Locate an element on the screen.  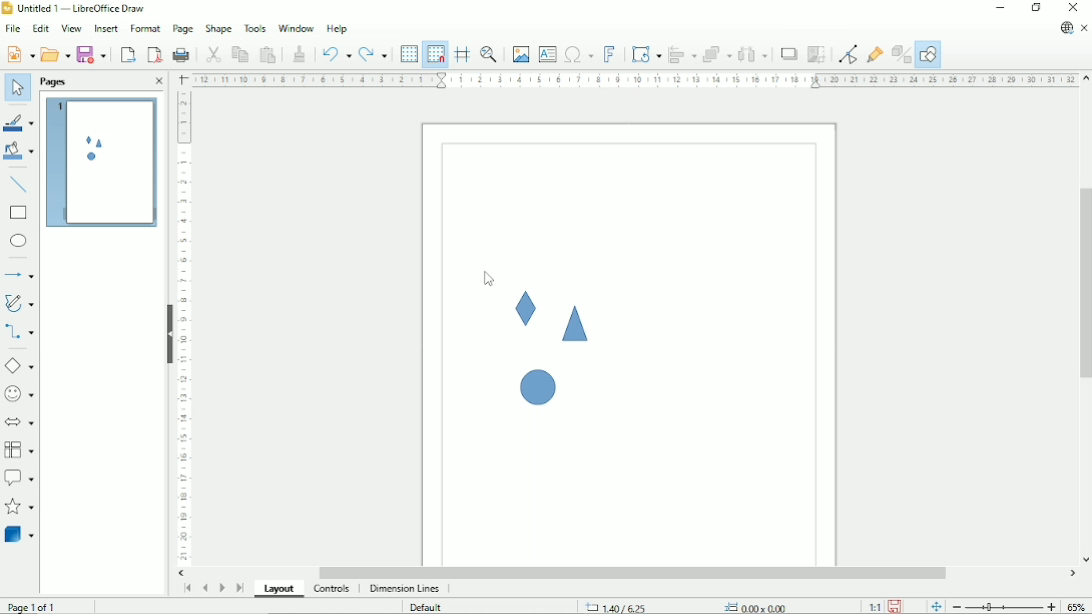
Vertical scroll button is located at coordinates (1086, 78).